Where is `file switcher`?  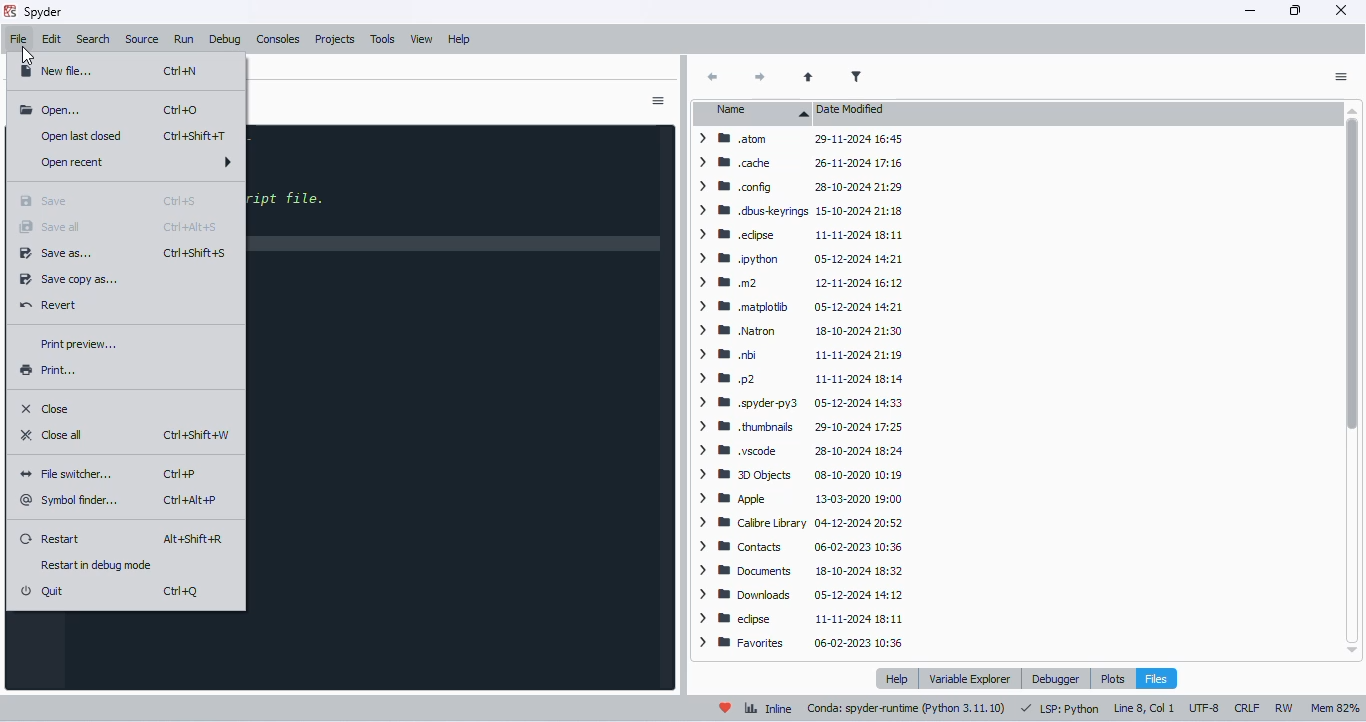
file switcher is located at coordinates (67, 473).